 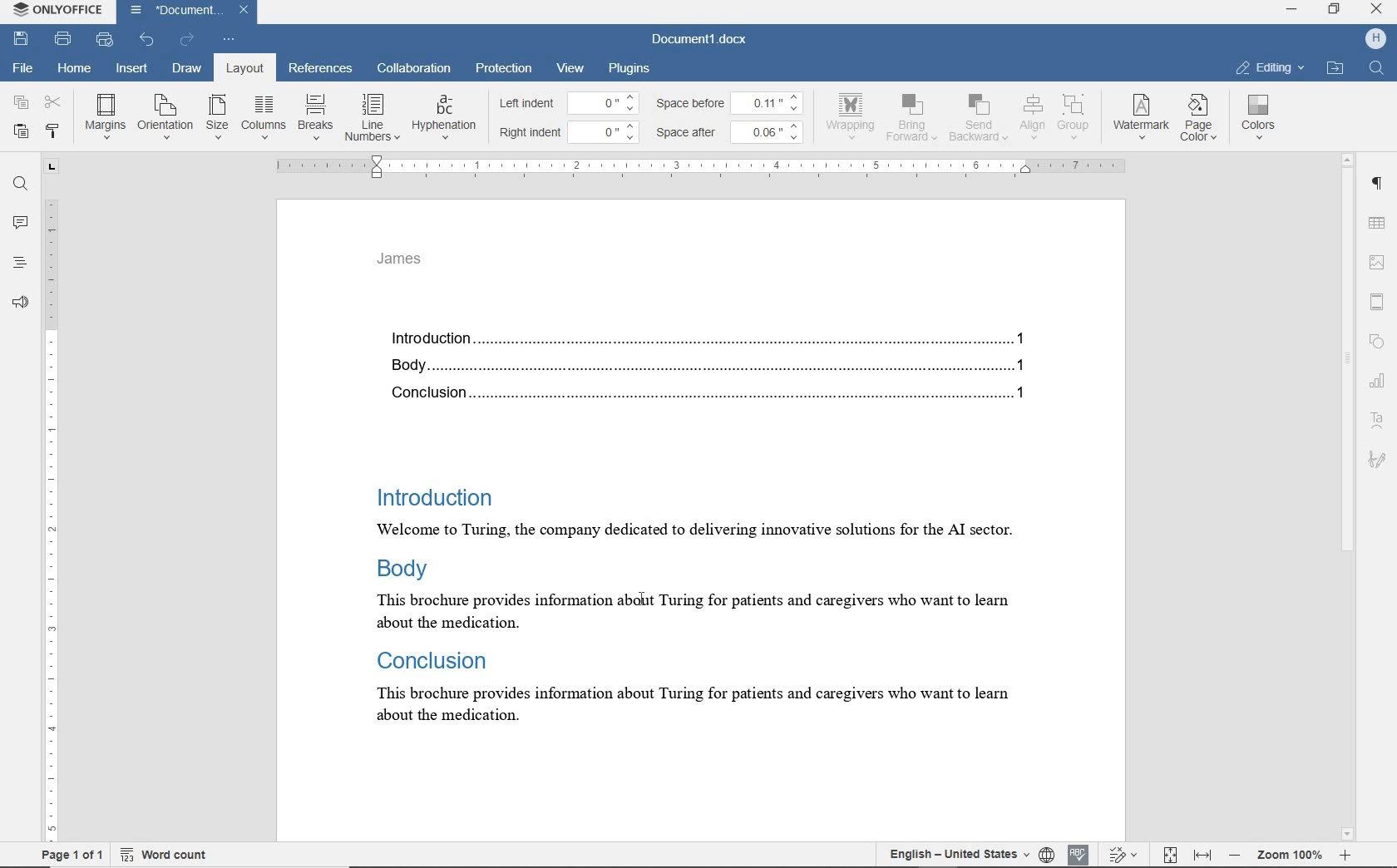 What do you see at coordinates (51, 499) in the screenshot?
I see `ruler` at bounding box center [51, 499].